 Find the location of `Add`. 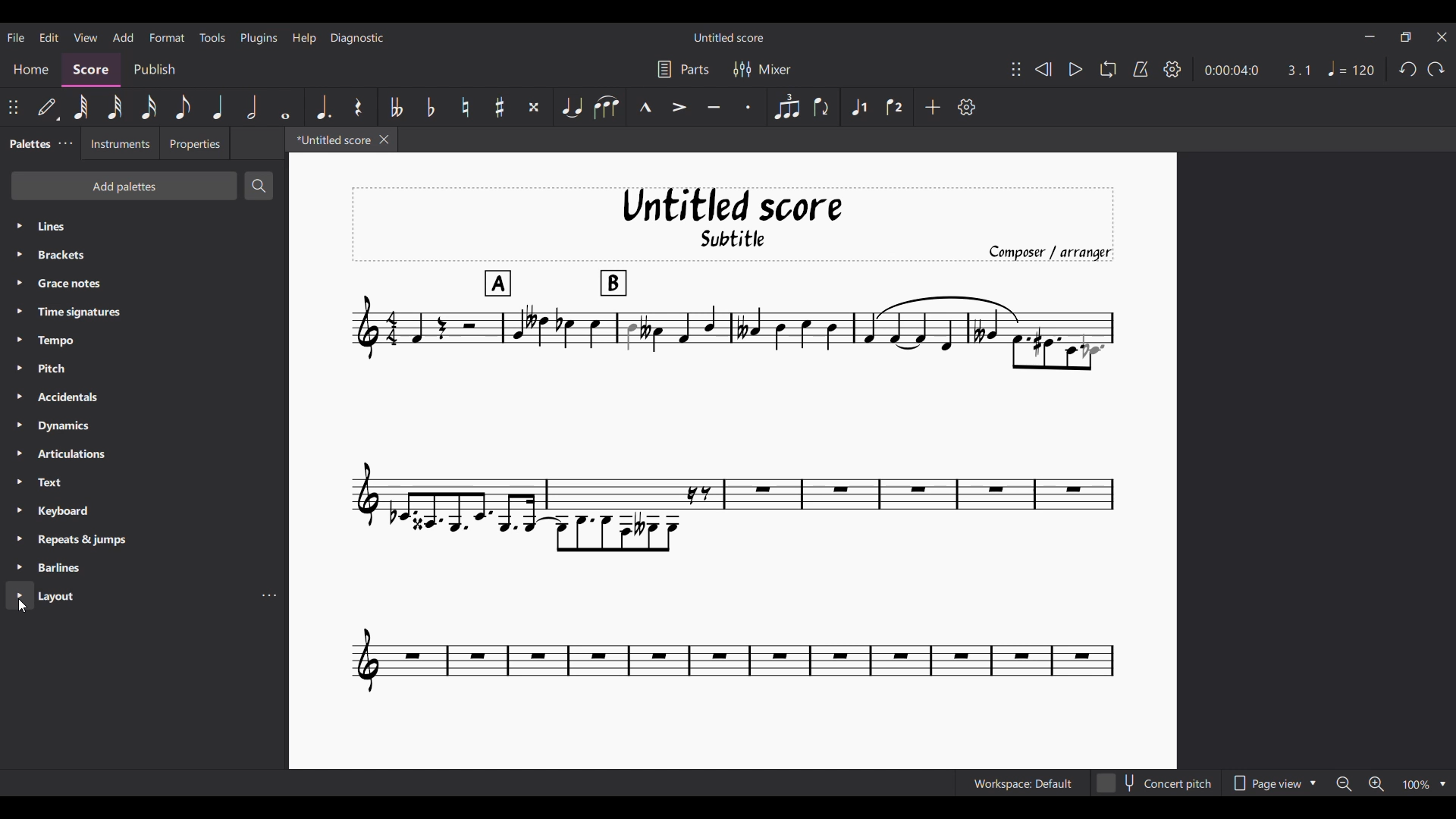

Add is located at coordinates (932, 107).